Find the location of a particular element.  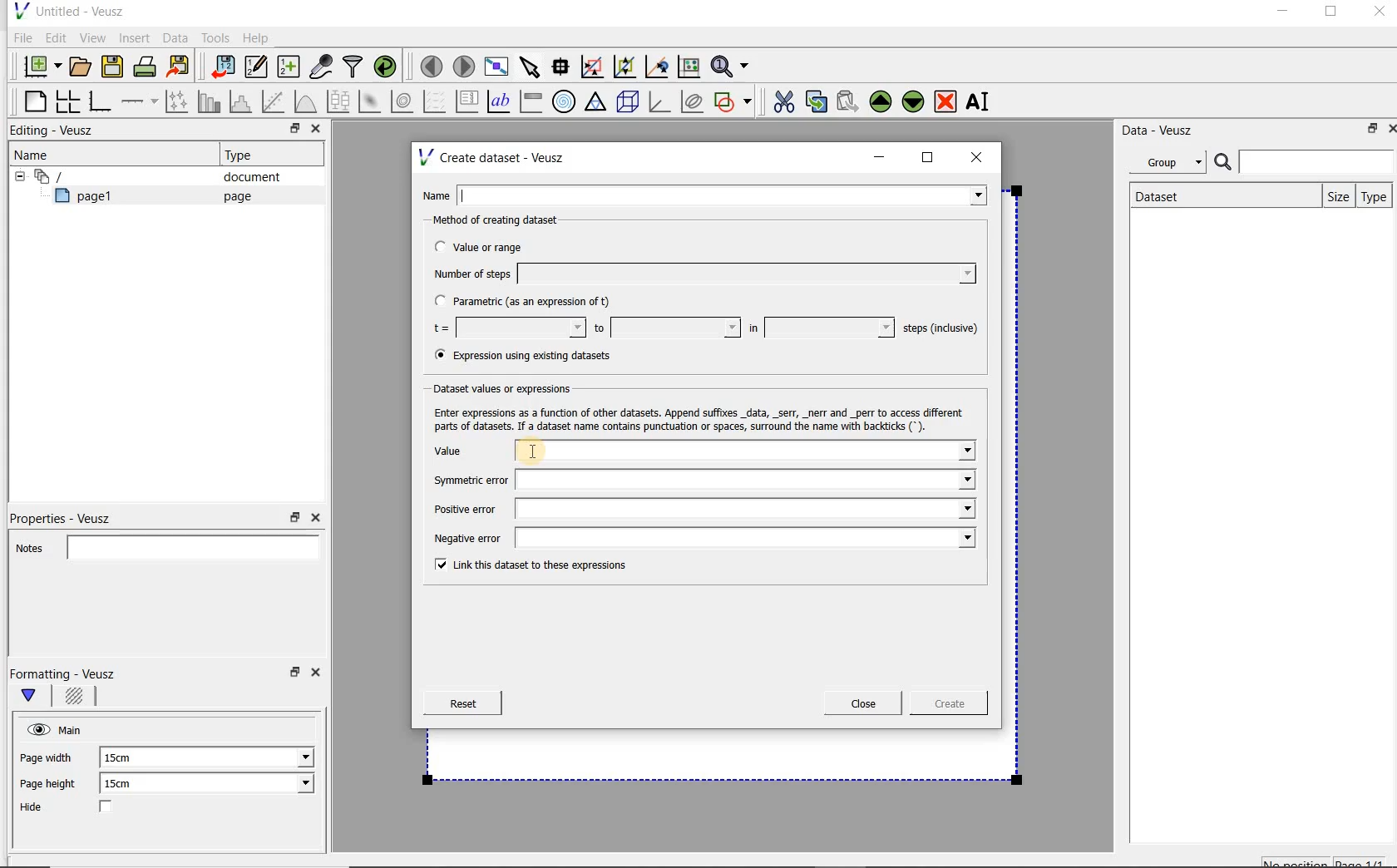

move to the previous page is located at coordinates (432, 64).